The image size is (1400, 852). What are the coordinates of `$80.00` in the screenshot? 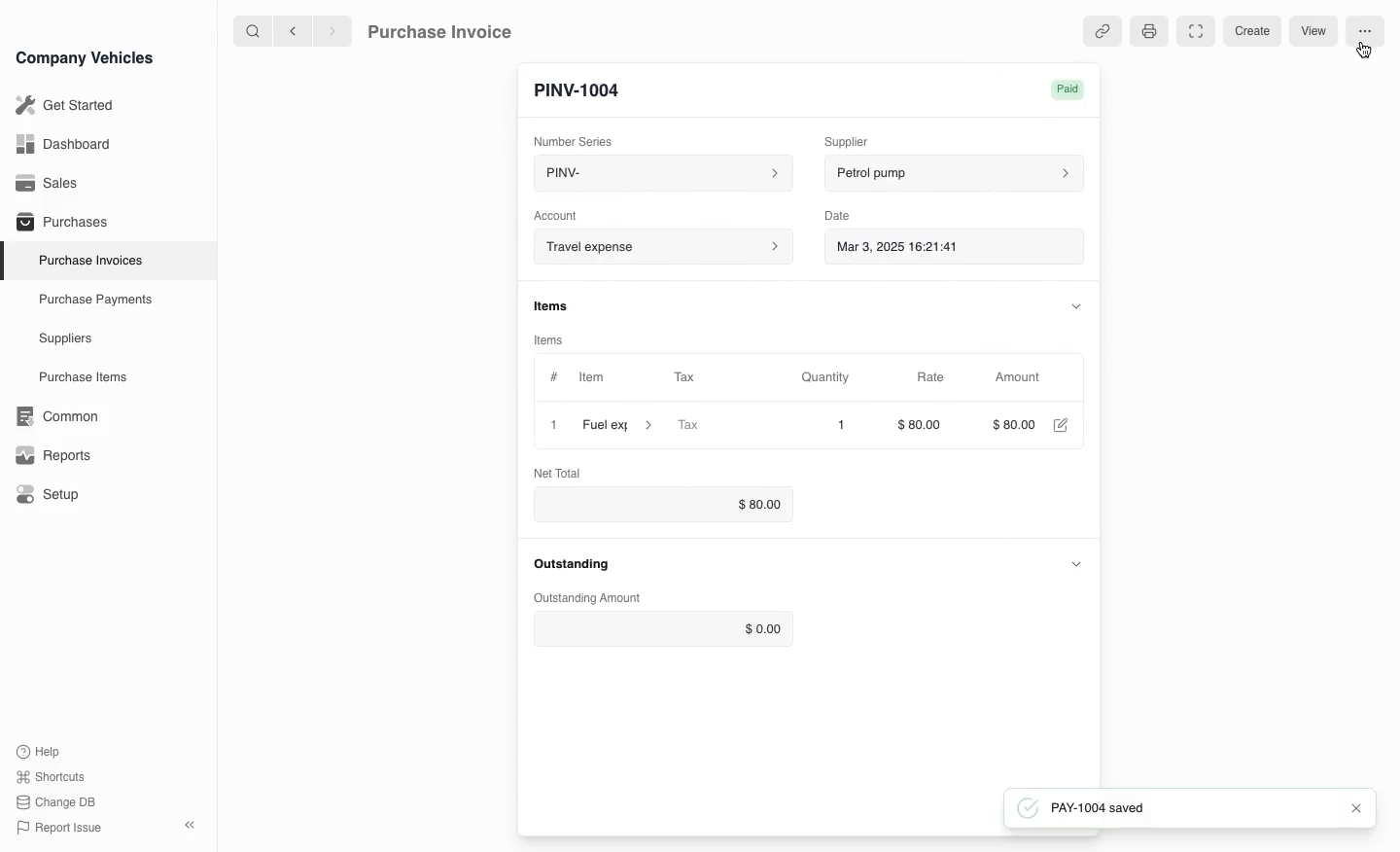 It's located at (924, 427).